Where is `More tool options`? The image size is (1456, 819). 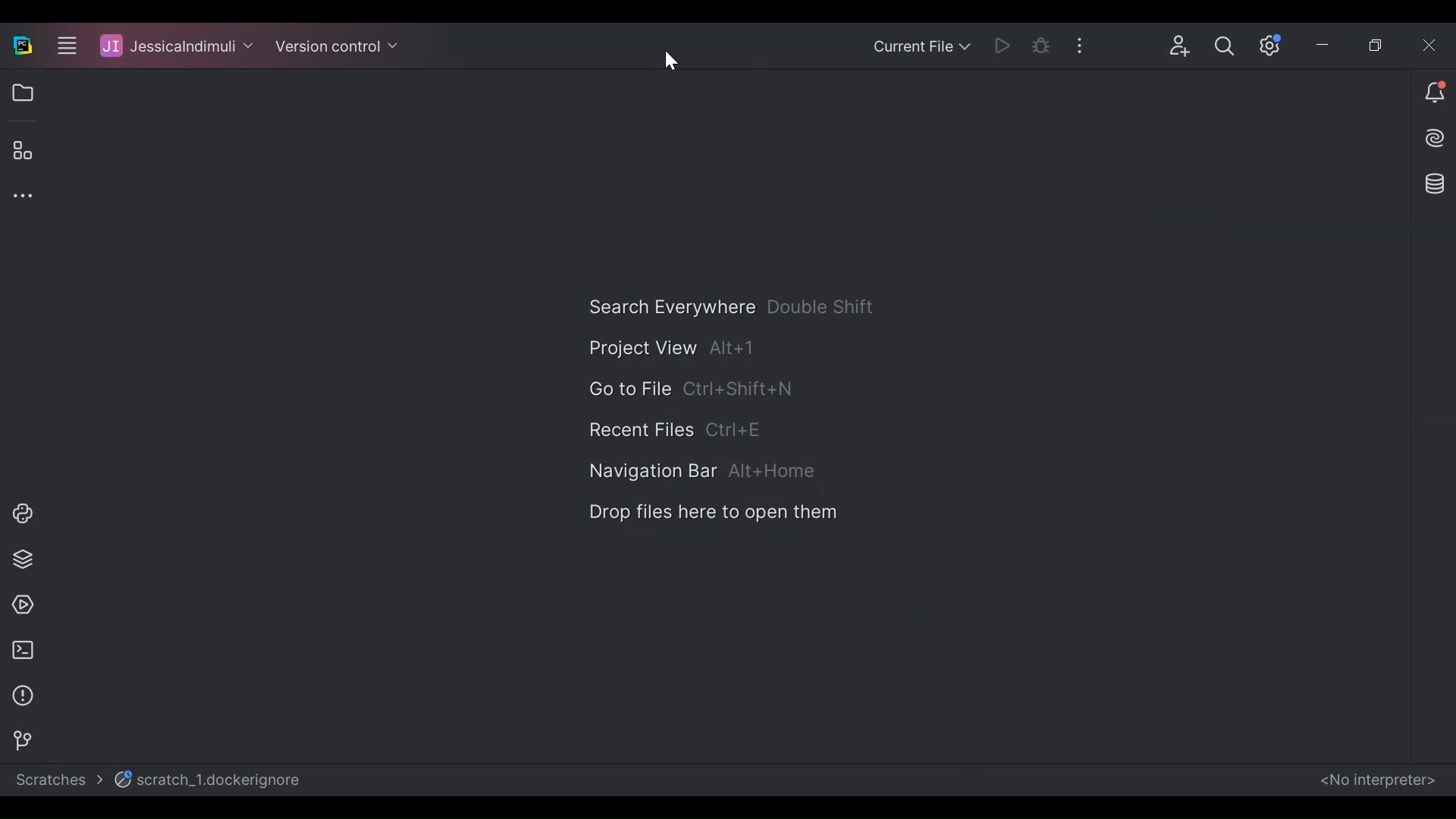 More tool options is located at coordinates (21, 193).